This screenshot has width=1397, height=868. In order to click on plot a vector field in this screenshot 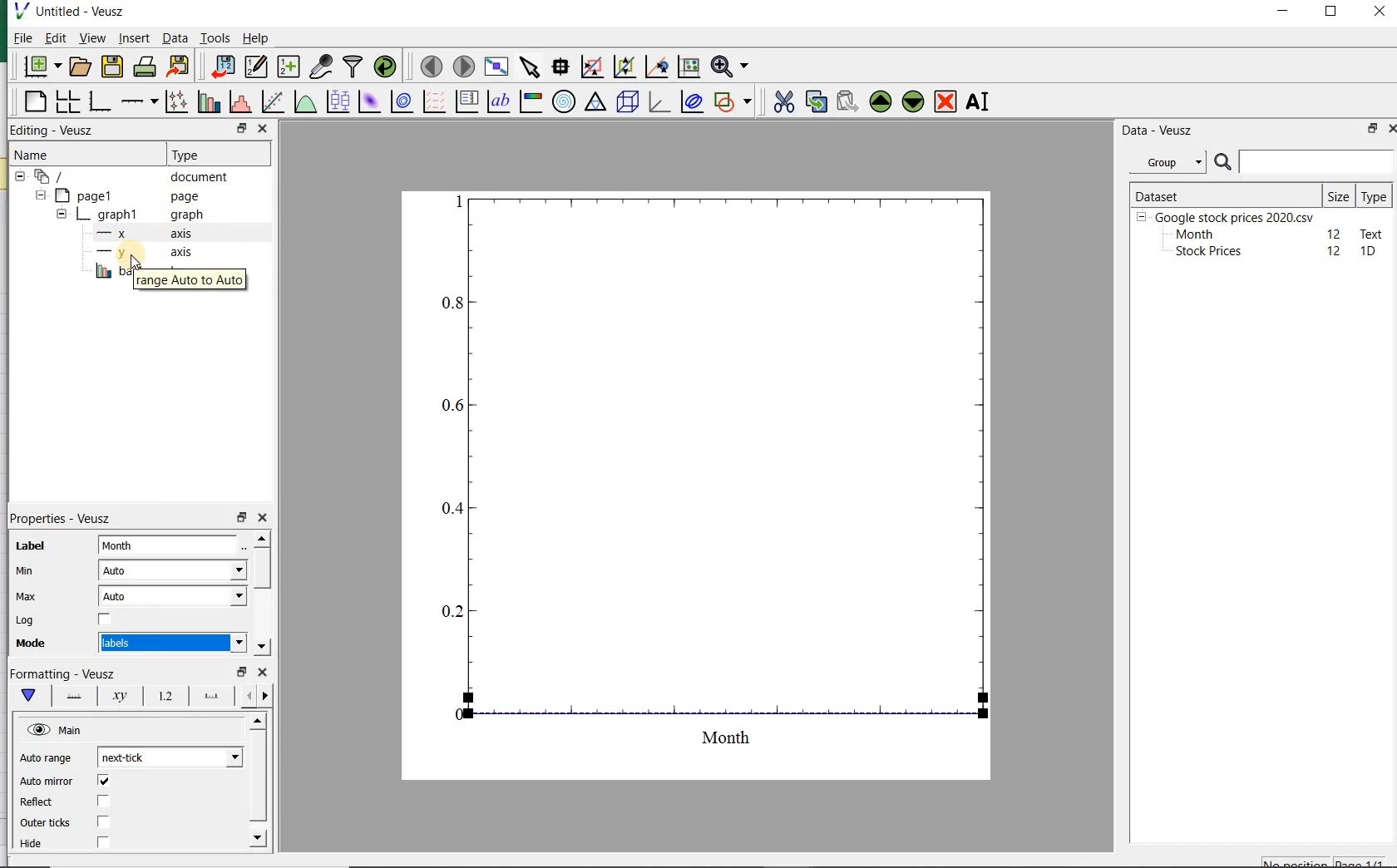, I will do `click(432, 103)`.